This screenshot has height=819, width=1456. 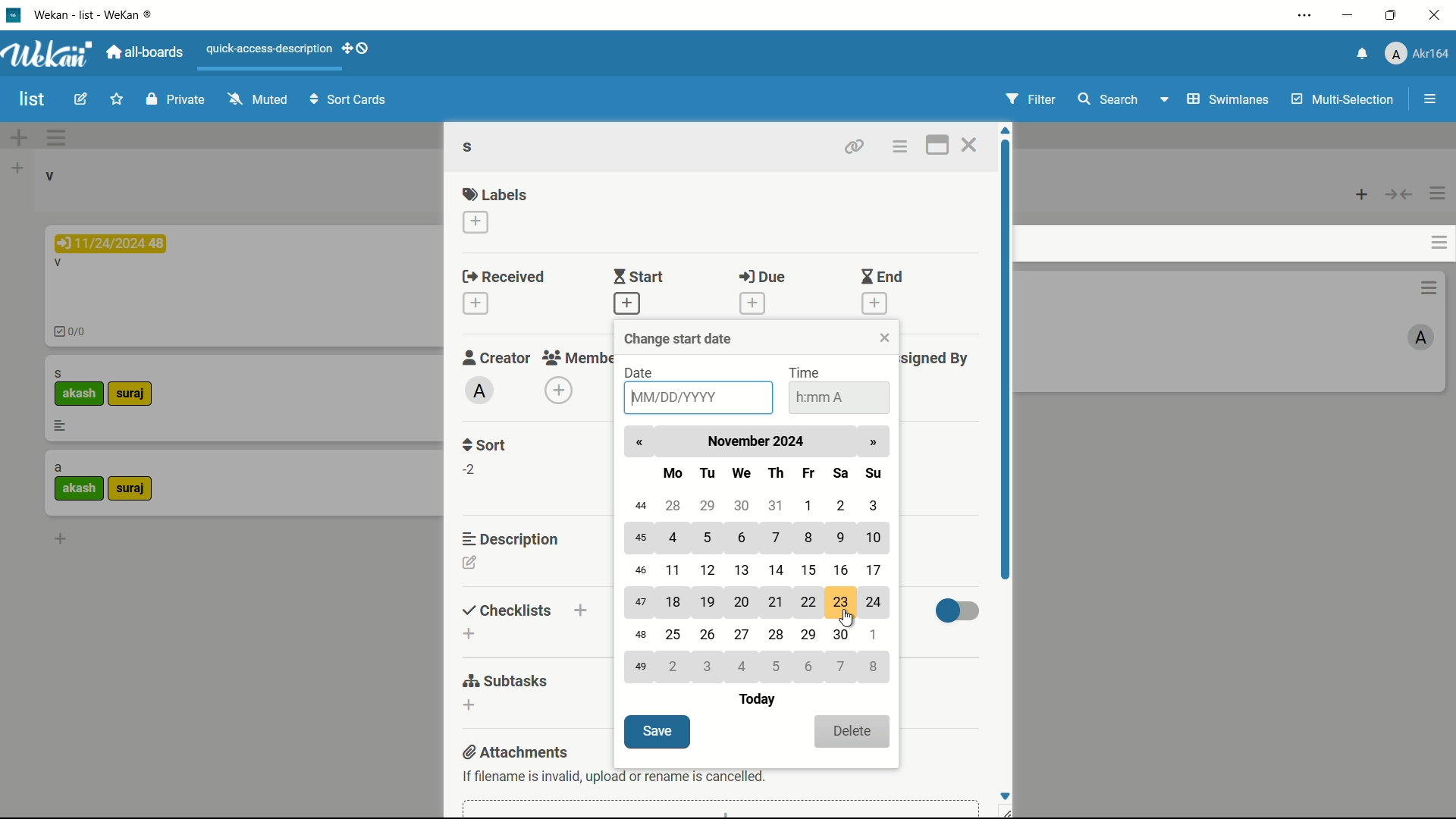 I want to click on -2, so click(x=472, y=469).